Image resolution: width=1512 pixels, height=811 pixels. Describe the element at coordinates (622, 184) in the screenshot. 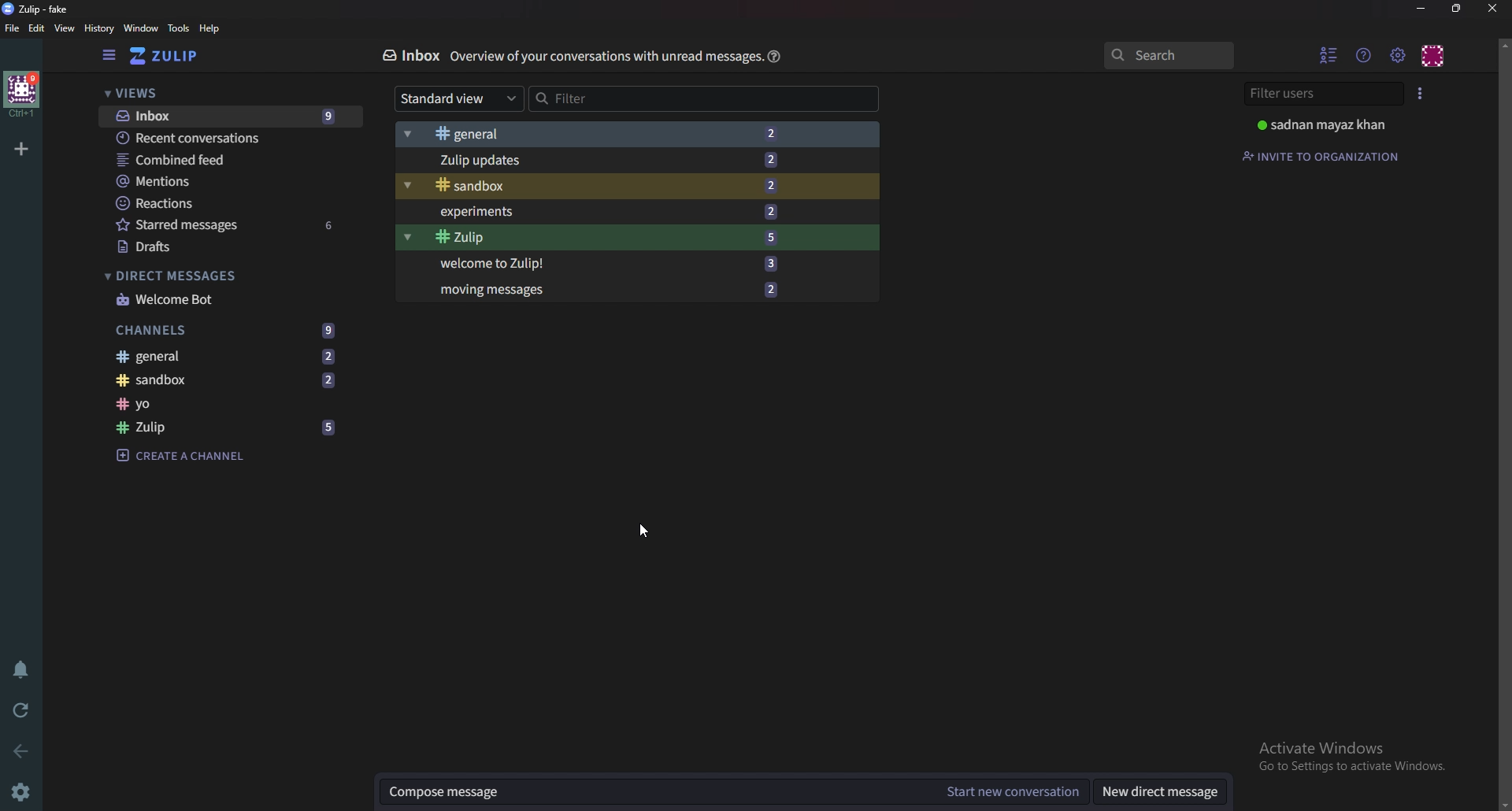

I see `Sandbox` at that location.